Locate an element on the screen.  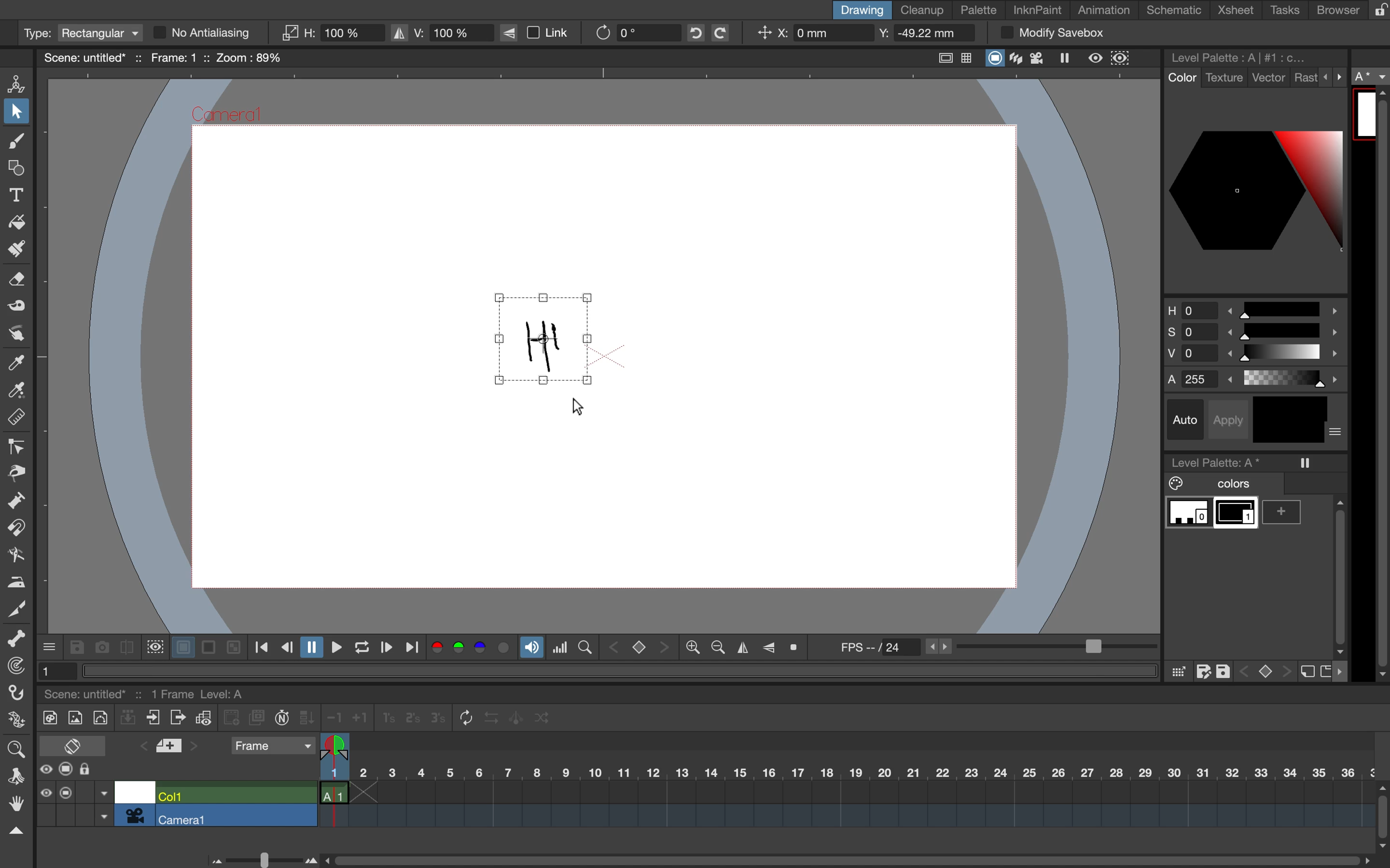
camera stand visibility toggle all is located at coordinates (66, 770).